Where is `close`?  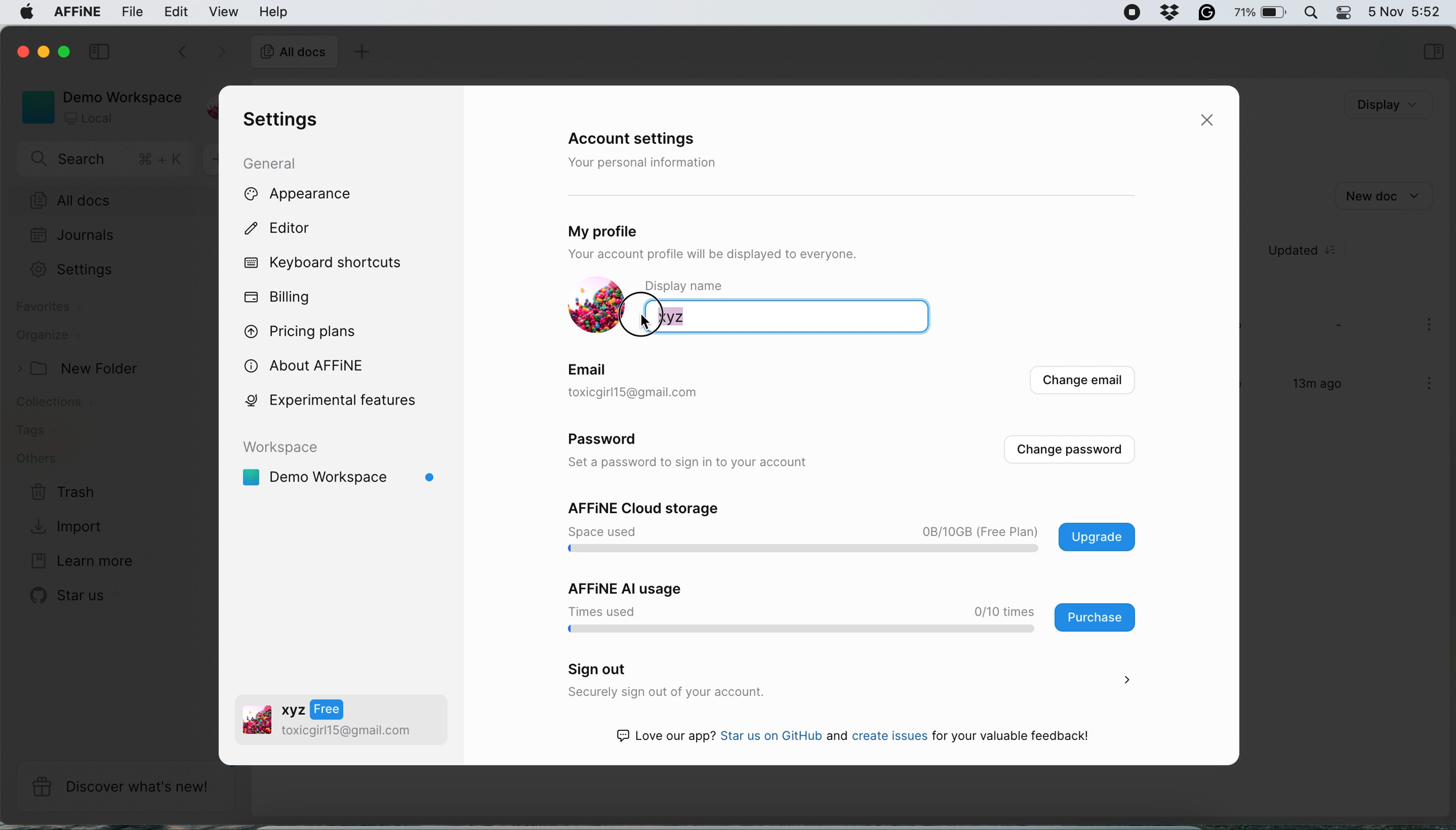
close is located at coordinates (1211, 121).